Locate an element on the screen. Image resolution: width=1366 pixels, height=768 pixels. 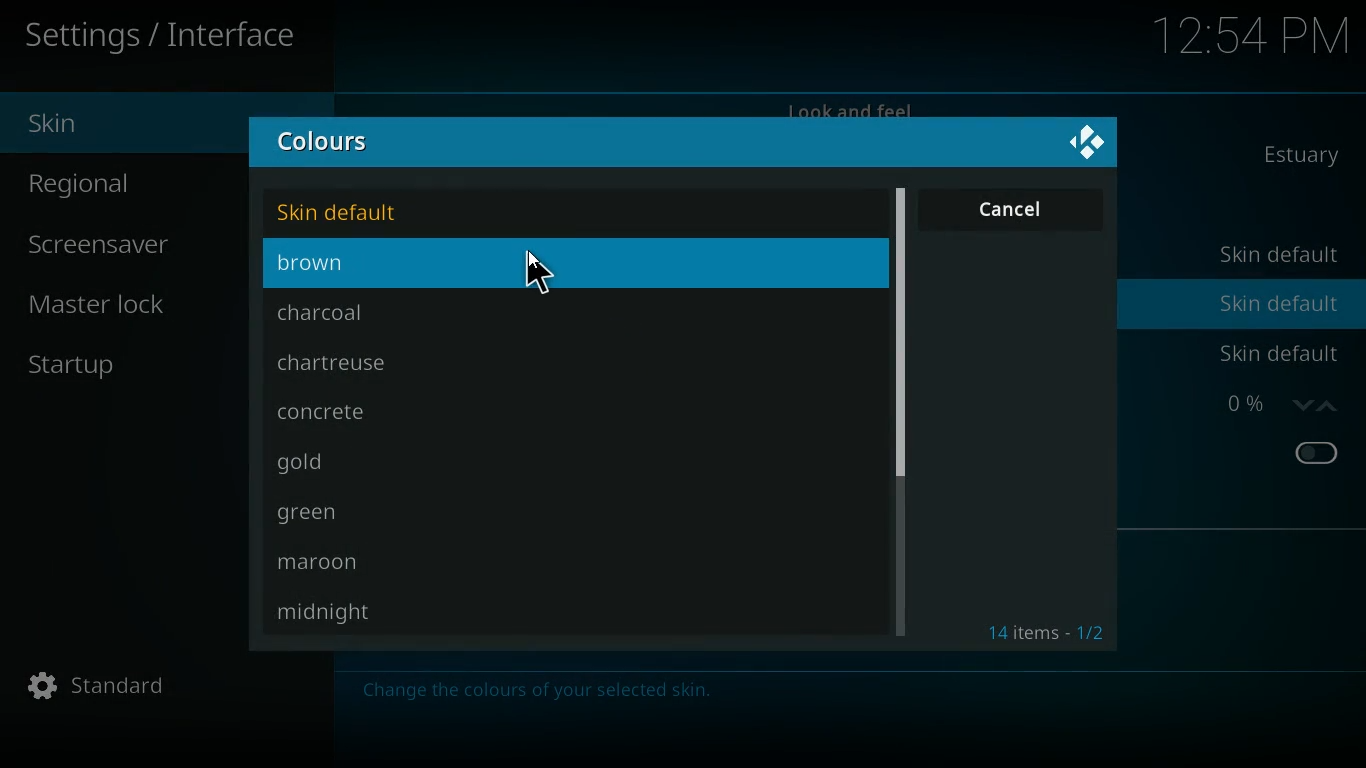
colours is located at coordinates (334, 143).